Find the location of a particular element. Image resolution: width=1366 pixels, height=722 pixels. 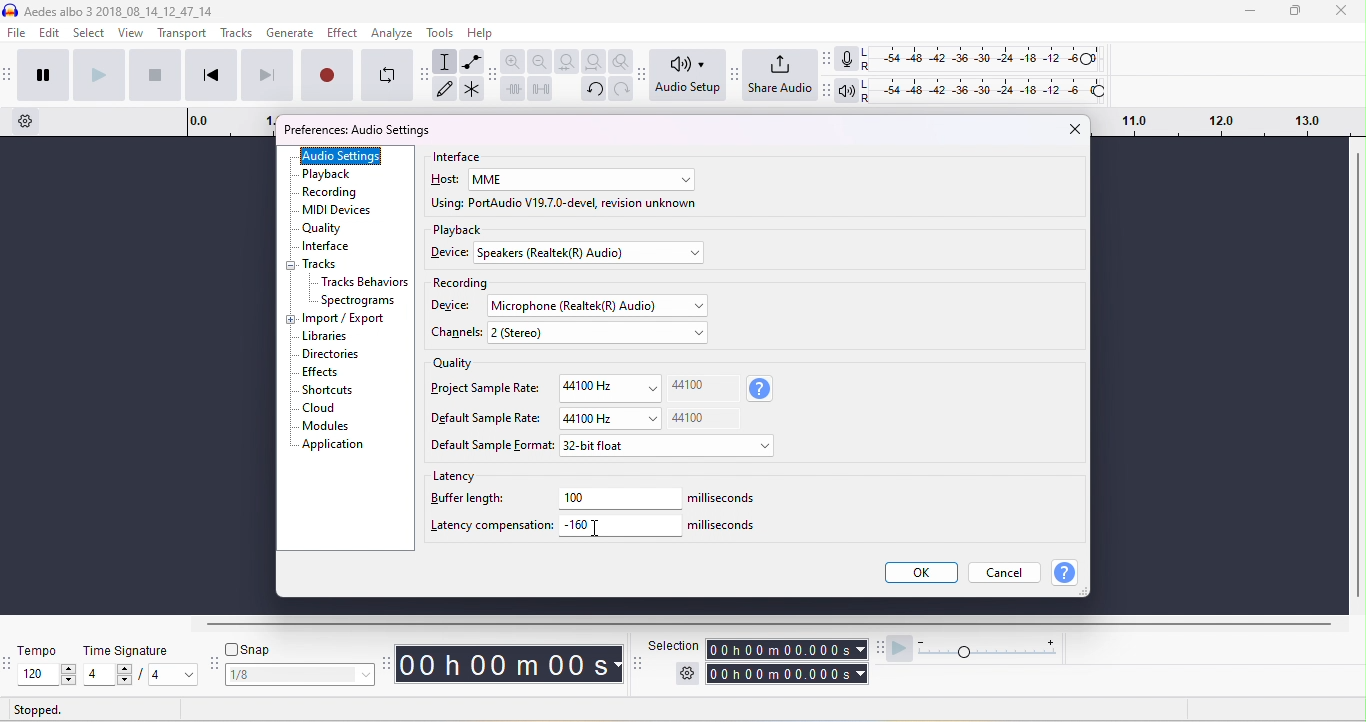

selection settings is located at coordinates (686, 673).